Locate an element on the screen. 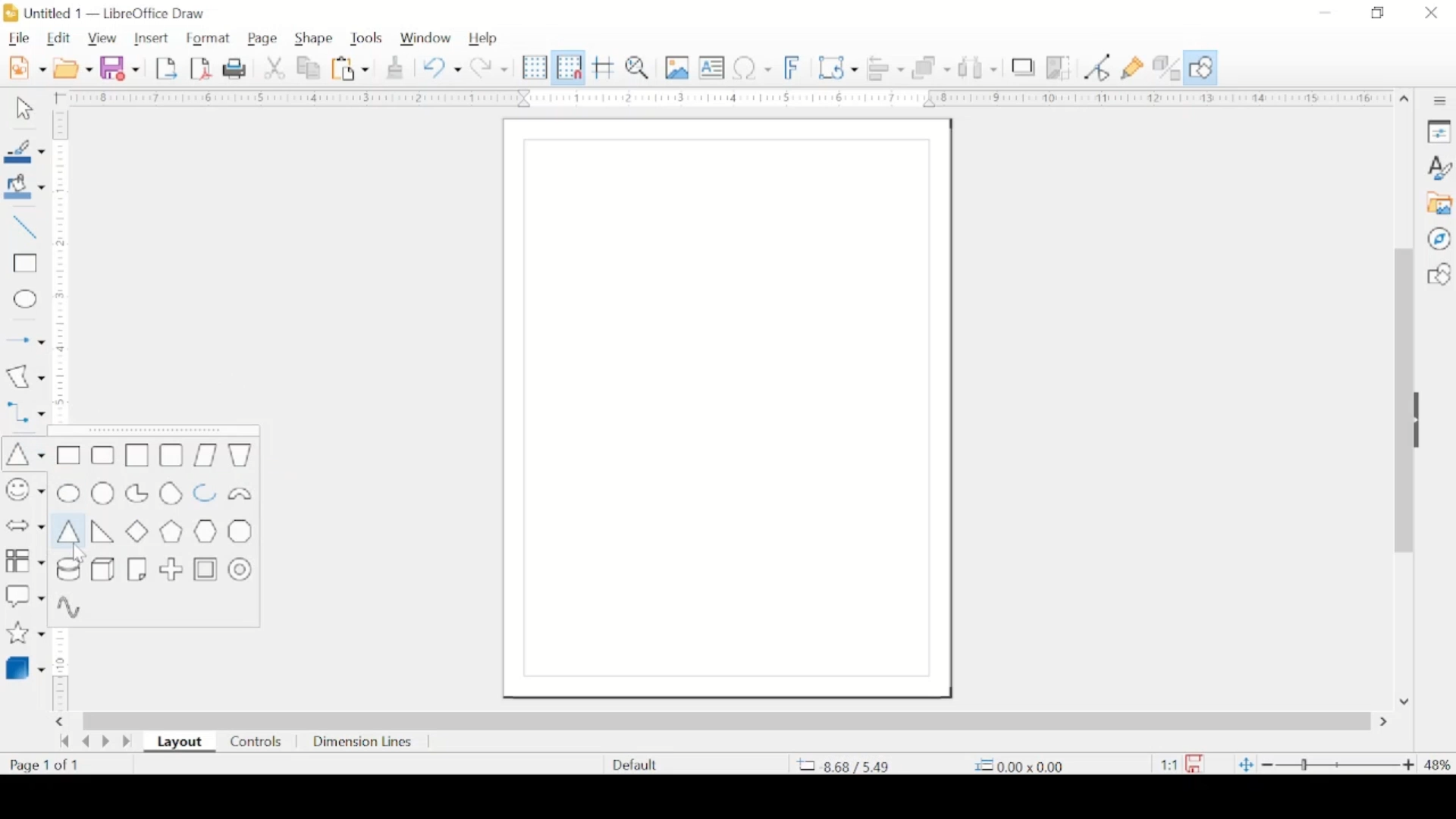  insert line is located at coordinates (24, 228).